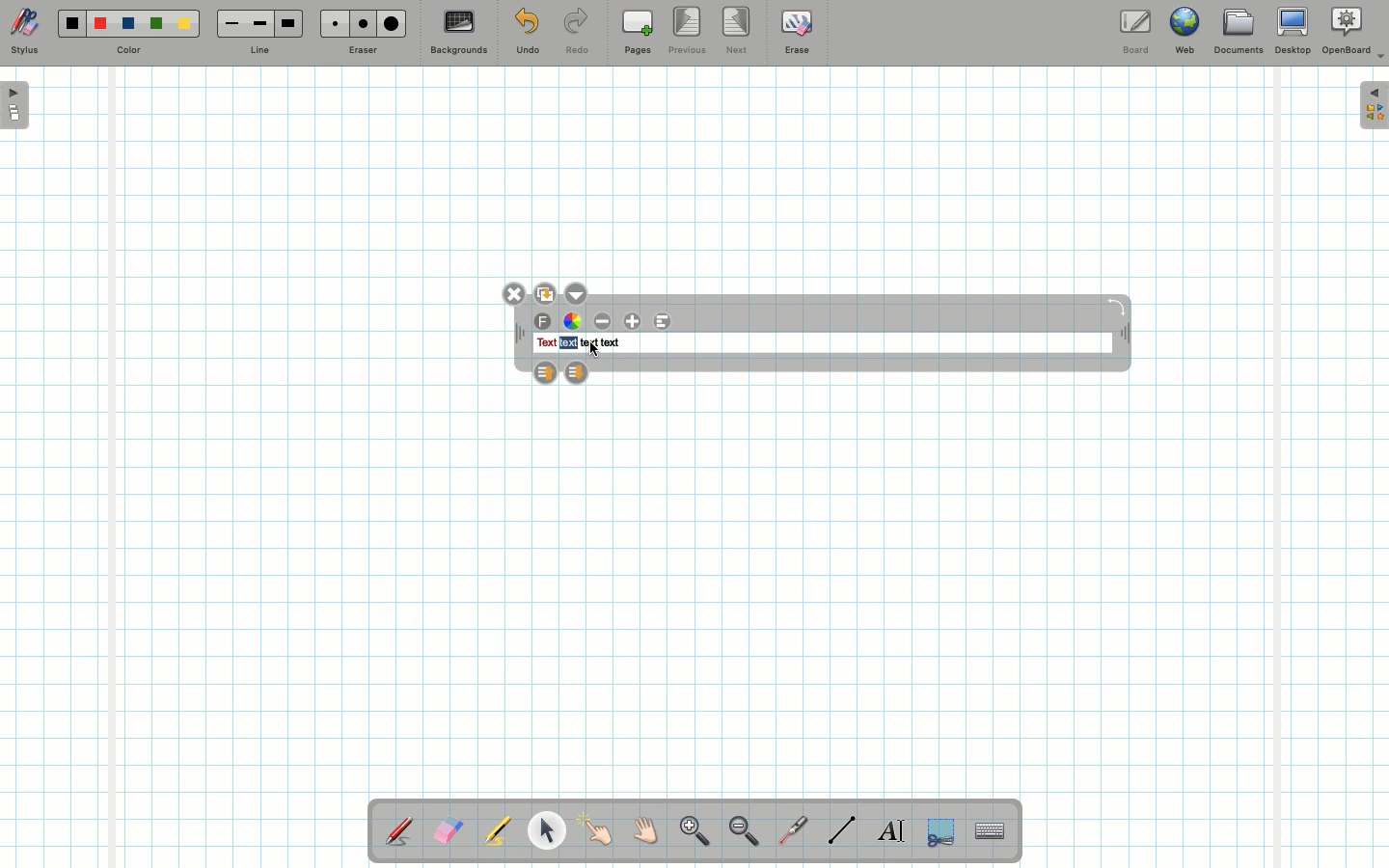 This screenshot has height=868, width=1389. Describe the element at coordinates (545, 343) in the screenshot. I see `text` at that location.